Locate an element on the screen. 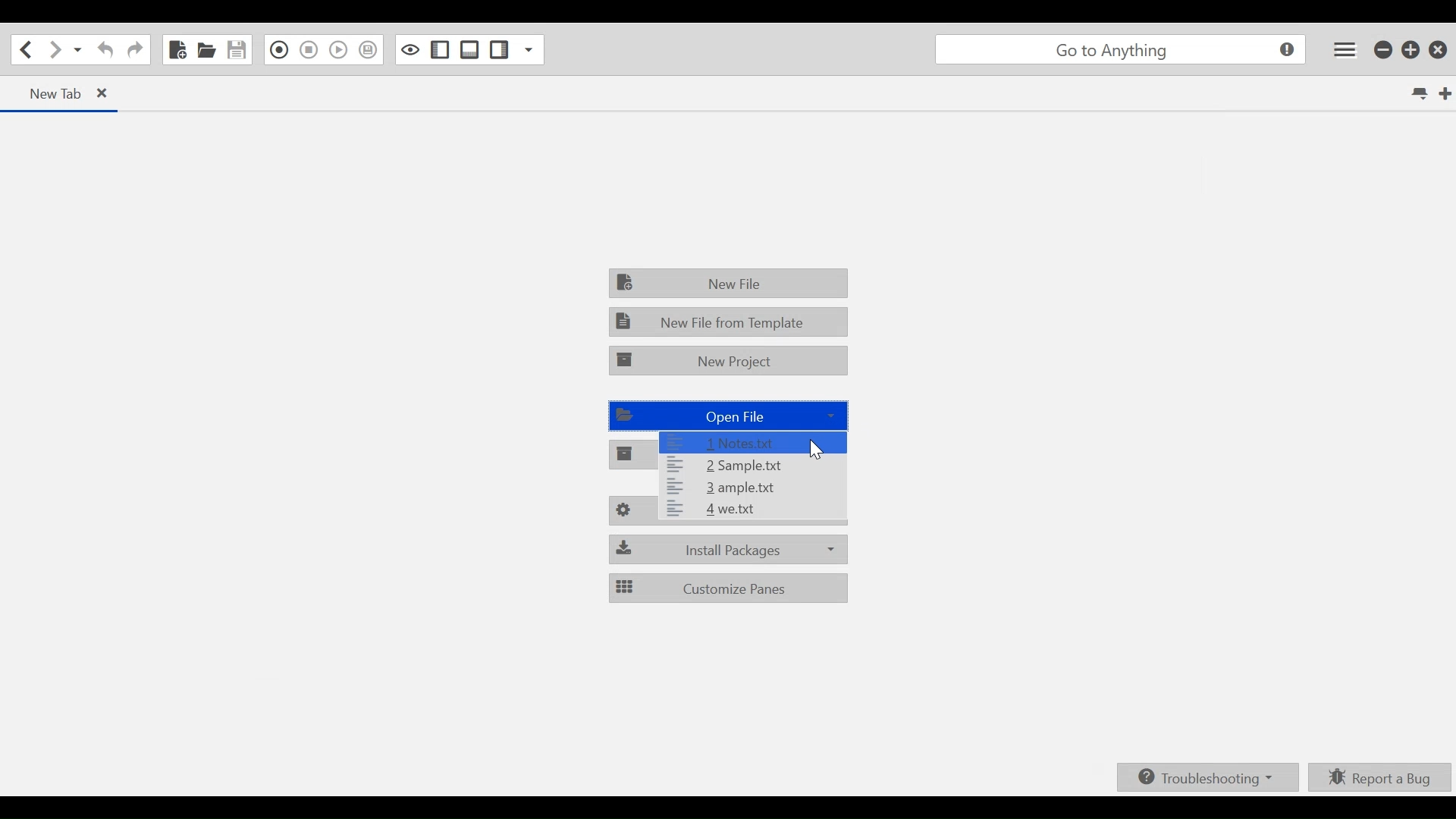 The width and height of the screenshot is (1456, 819). Report a bug is located at coordinates (1381, 777).